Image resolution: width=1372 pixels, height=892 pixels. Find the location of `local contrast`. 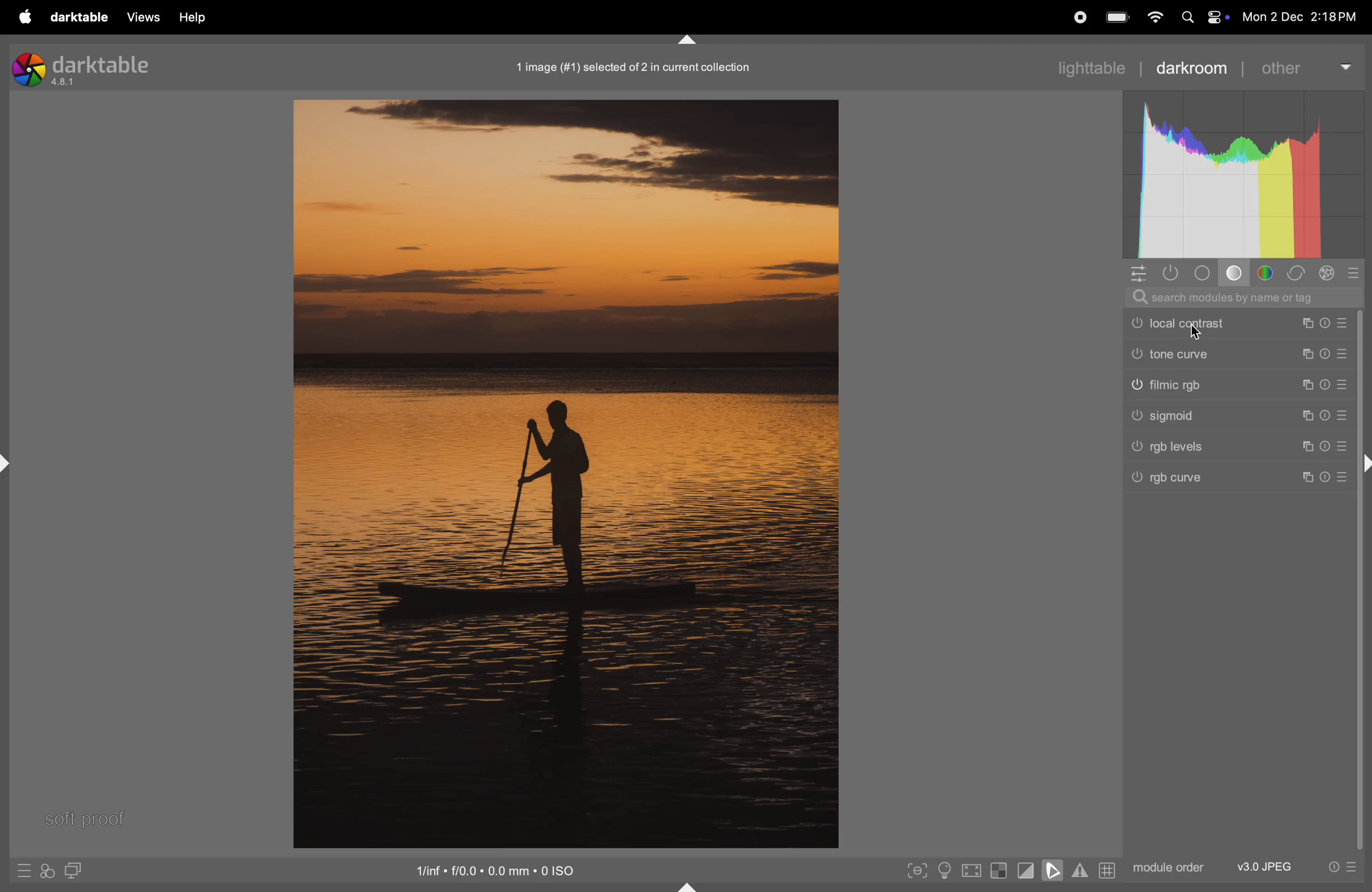

local contrast is located at coordinates (1237, 324).